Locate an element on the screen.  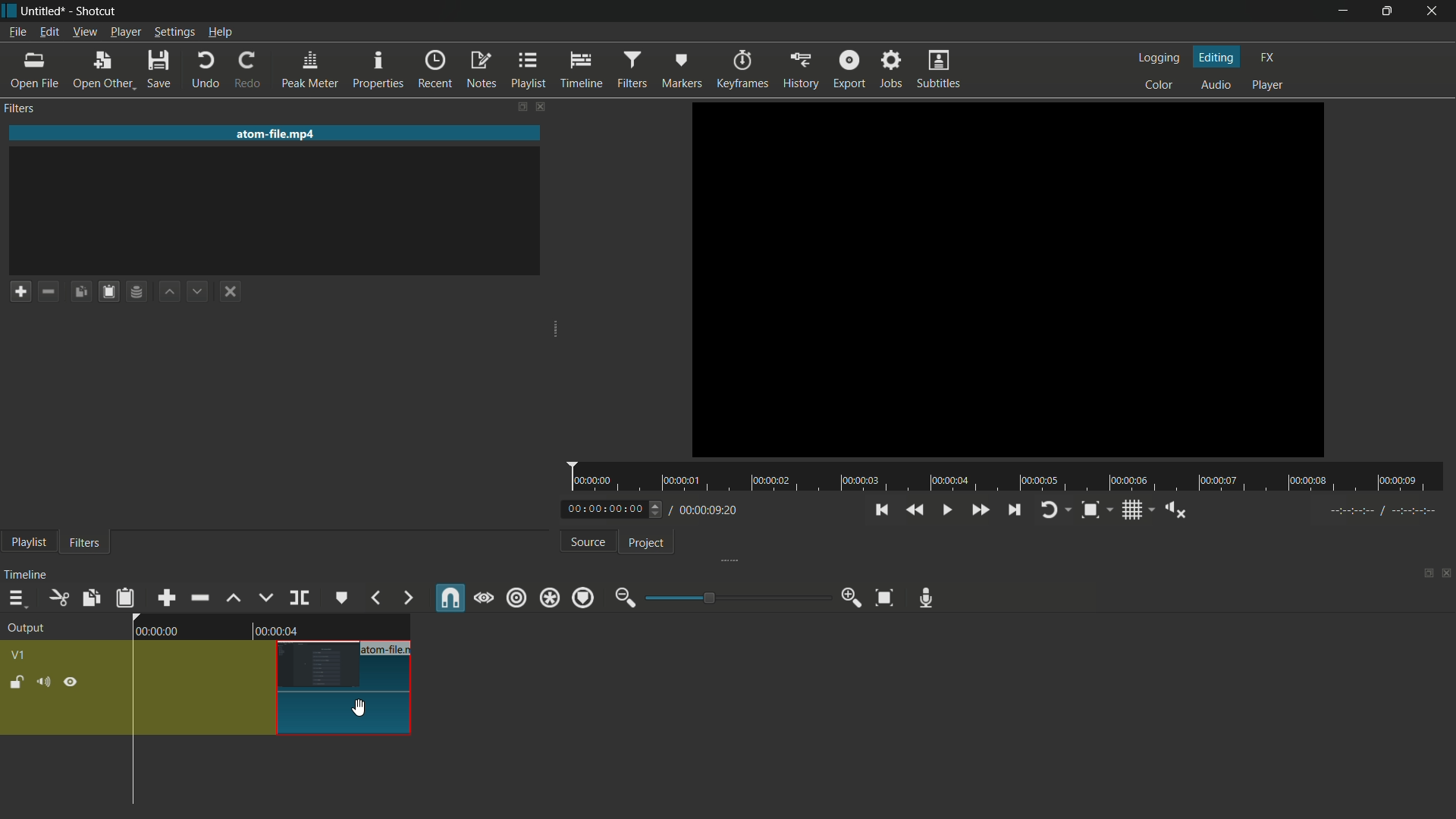
split at playhead is located at coordinates (299, 598).